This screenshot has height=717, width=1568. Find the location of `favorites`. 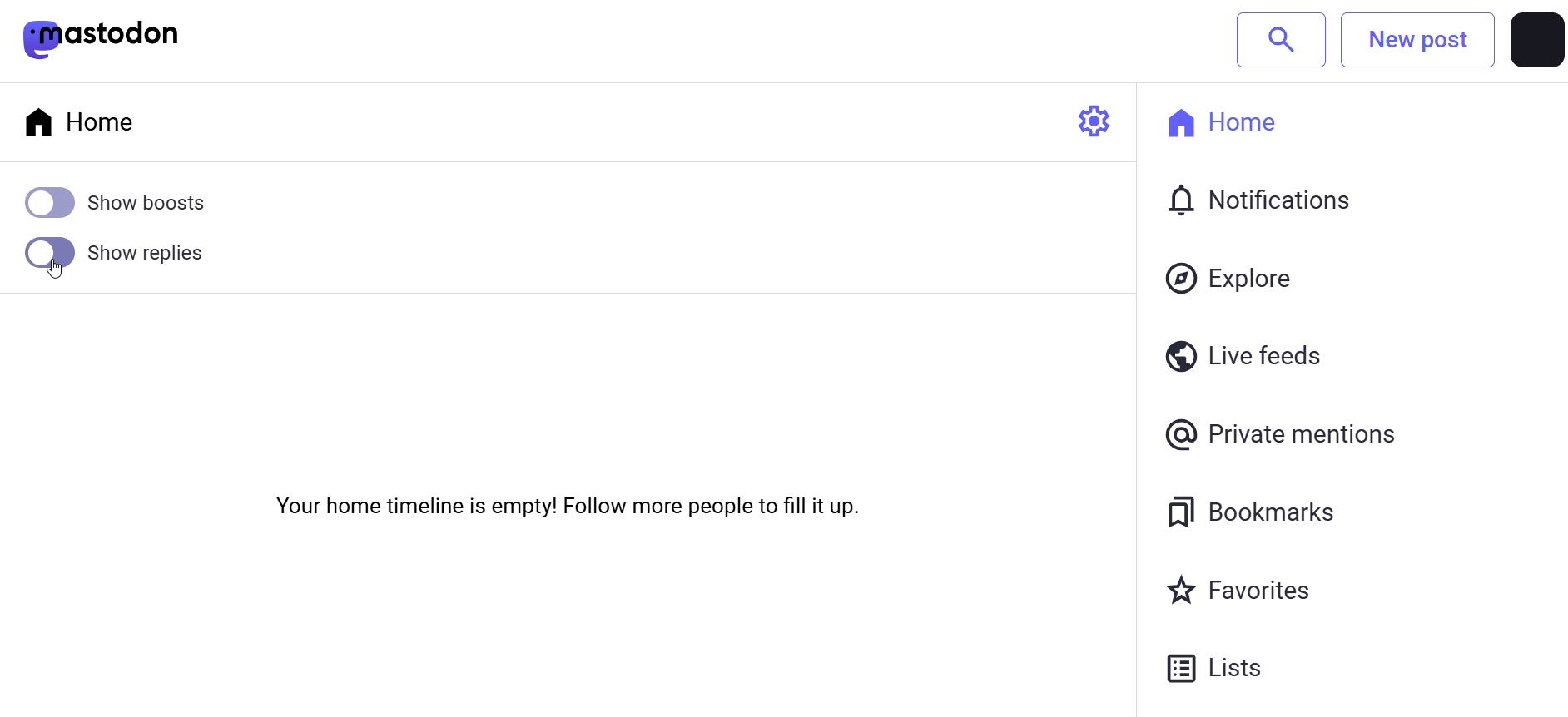

favorites is located at coordinates (1238, 590).